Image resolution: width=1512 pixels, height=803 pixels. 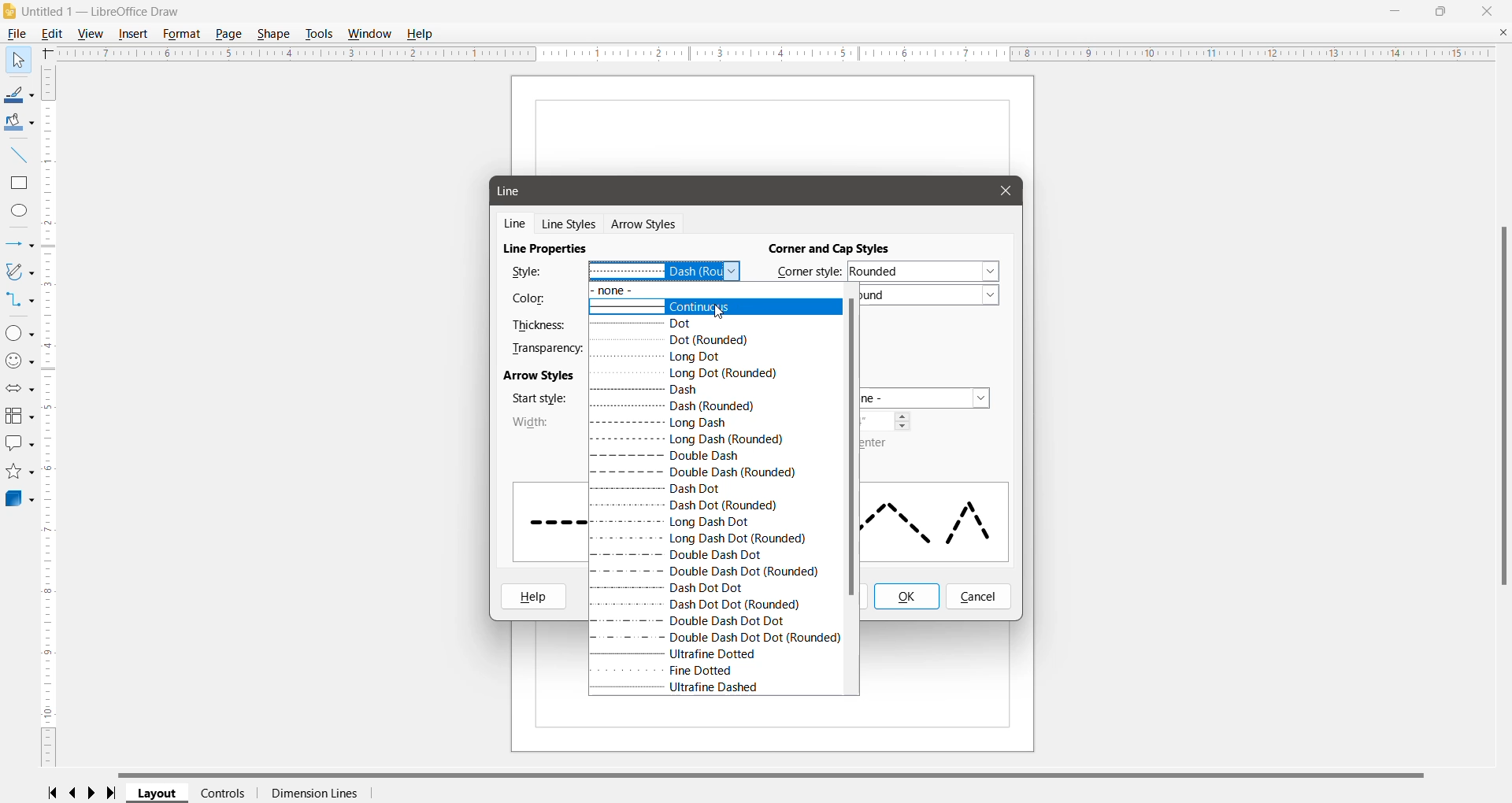 I want to click on Tools, so click(x=319, y=34).